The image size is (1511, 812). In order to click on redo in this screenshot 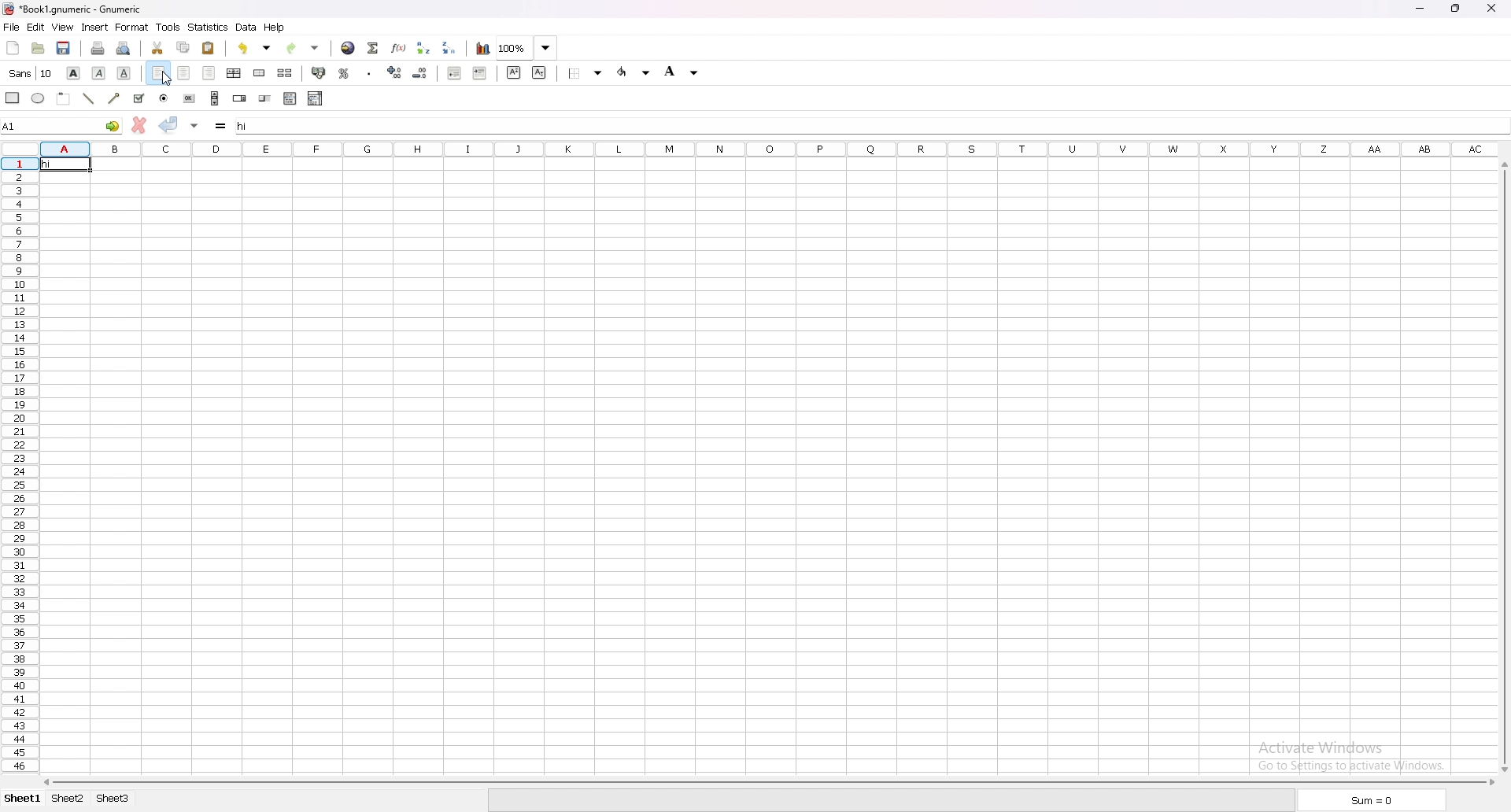, I will do `click(301, 48)`.